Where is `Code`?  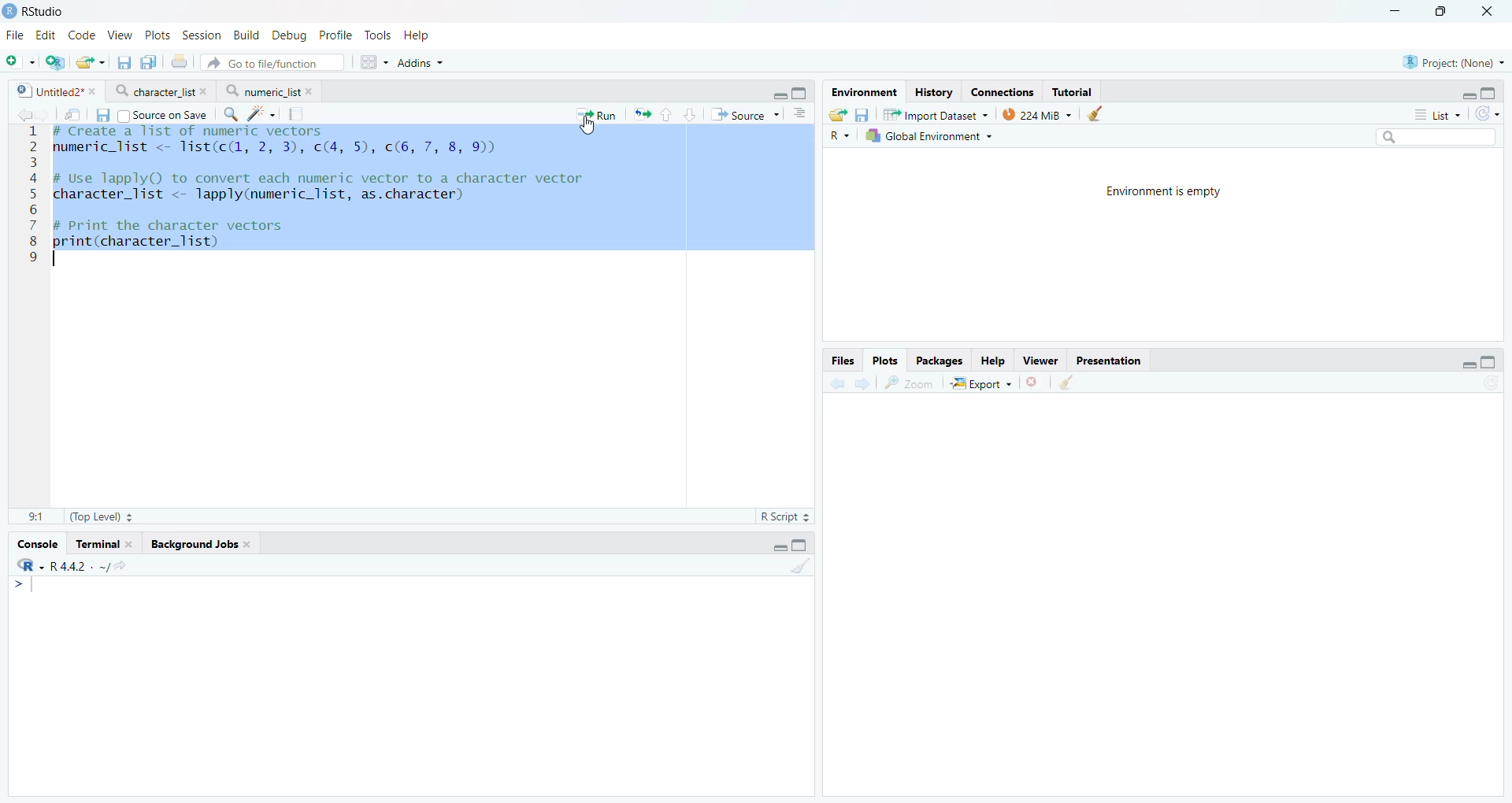
Code is located at coordinates (84, 35).